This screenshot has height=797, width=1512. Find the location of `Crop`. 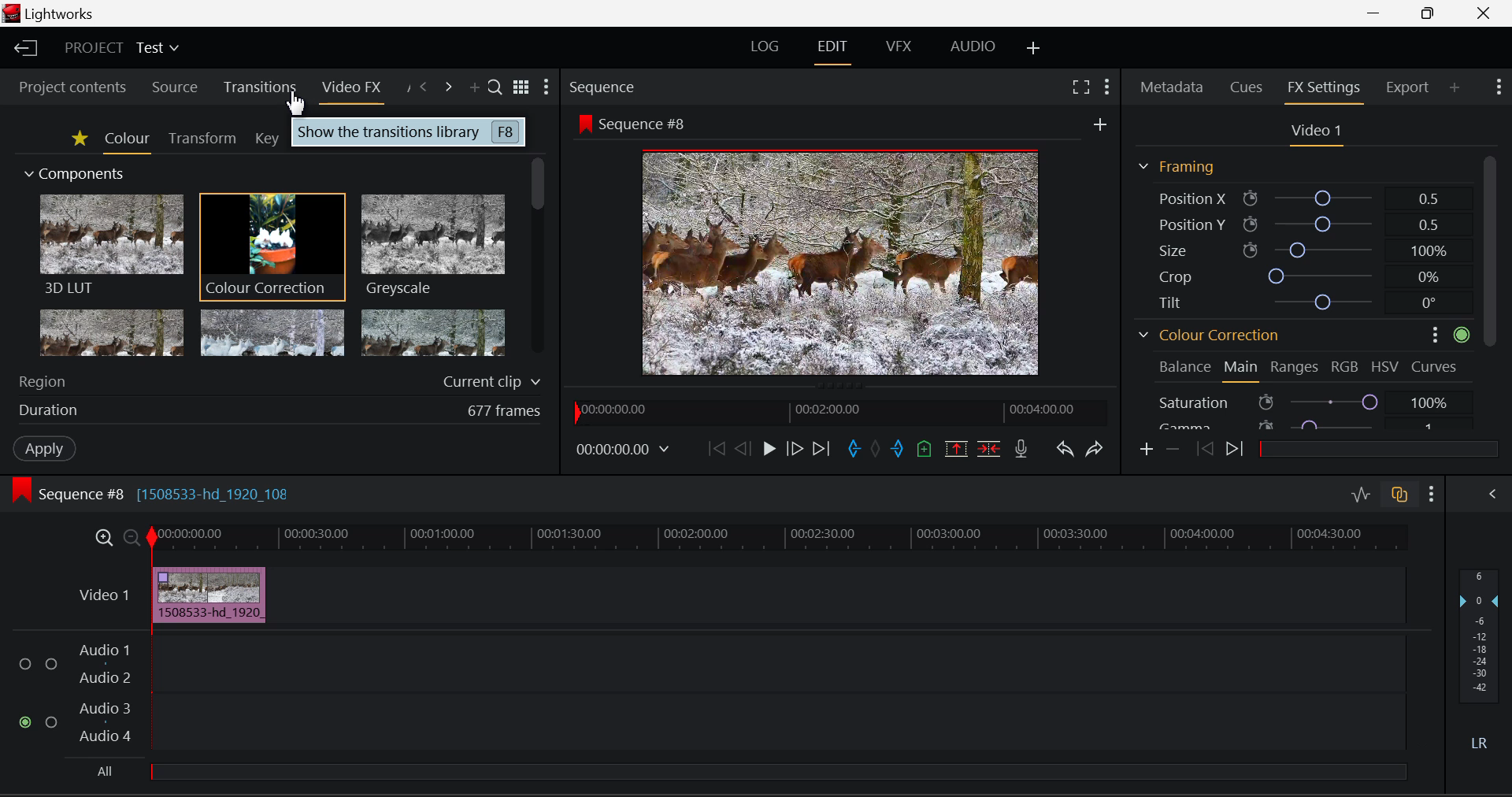

Crop is located at coordinates (1296, 275).